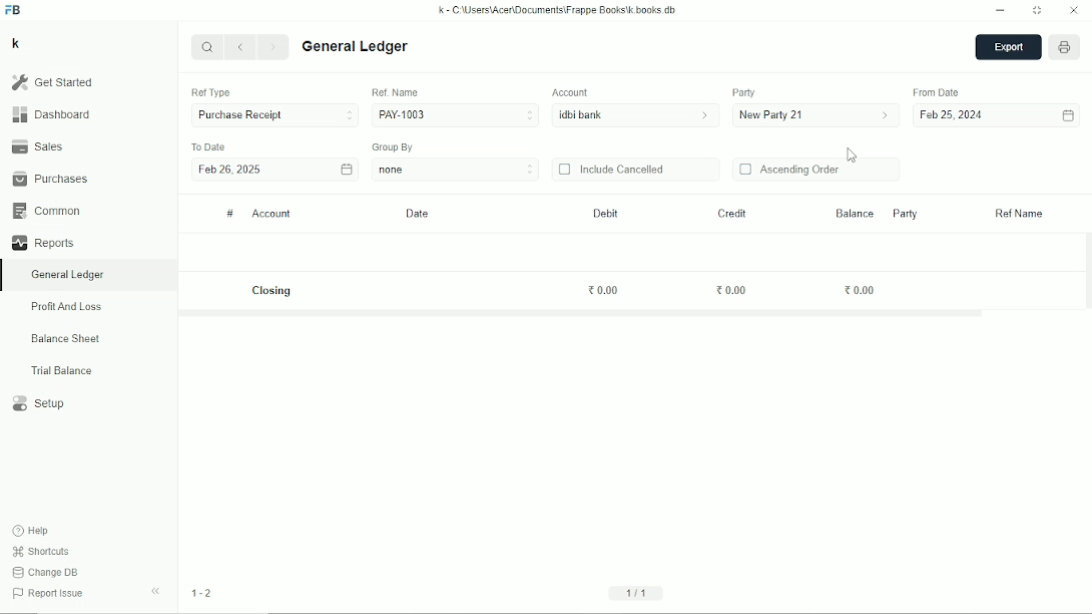 This screenshot has width=1092, height=614. Describe the element at coordinates (42, 243) in the screenshot. I see `Reports` at that location.